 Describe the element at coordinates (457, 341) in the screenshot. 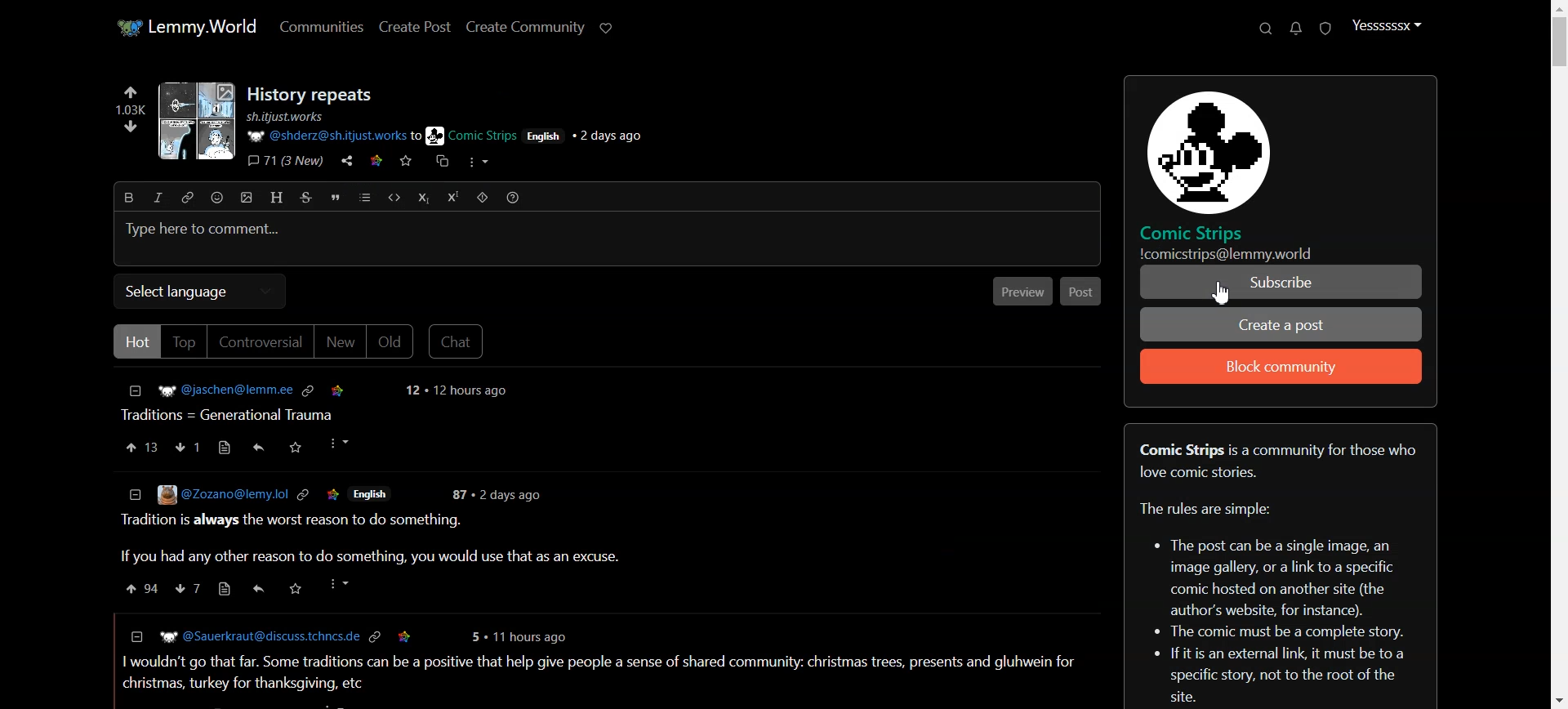

I see `Chat` at that location.